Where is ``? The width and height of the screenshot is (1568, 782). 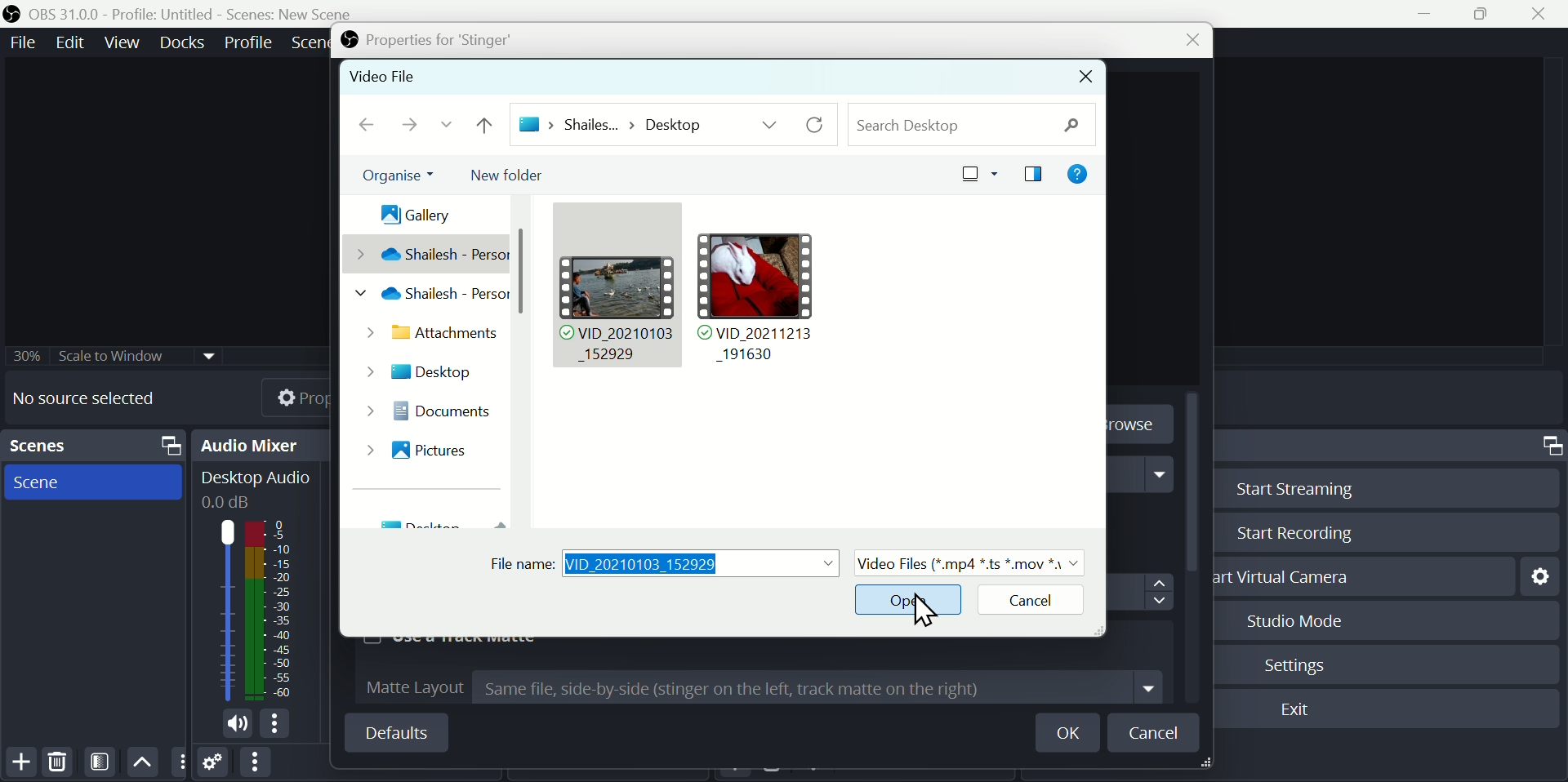
 is located at coordinates (125, 42).